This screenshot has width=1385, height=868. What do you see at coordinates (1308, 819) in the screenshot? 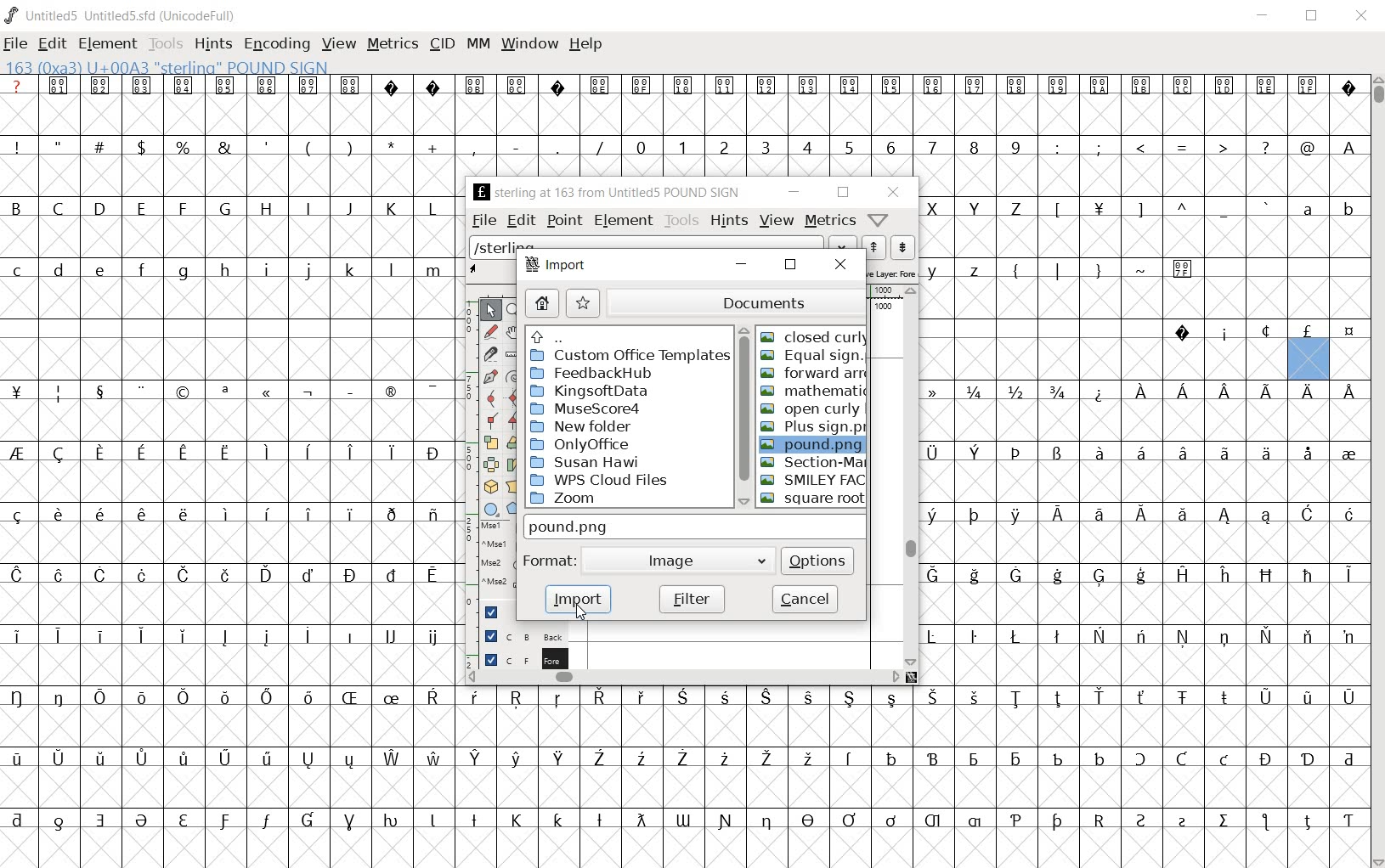
I see `Symbol` at bounding box center [1308, 819].